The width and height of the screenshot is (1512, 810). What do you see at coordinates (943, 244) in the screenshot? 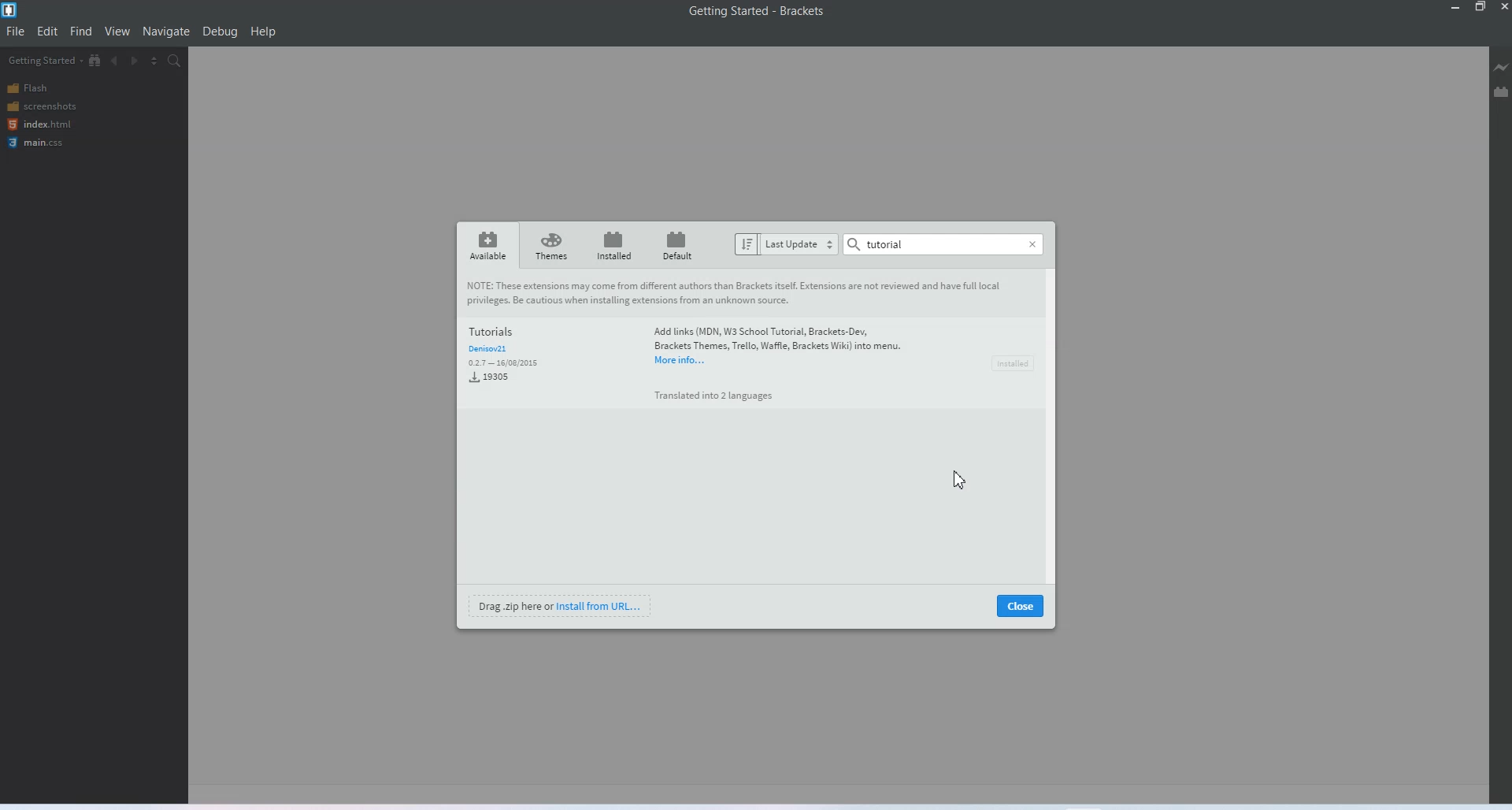
I see `Search Bar` at bounding box center [943, 244].